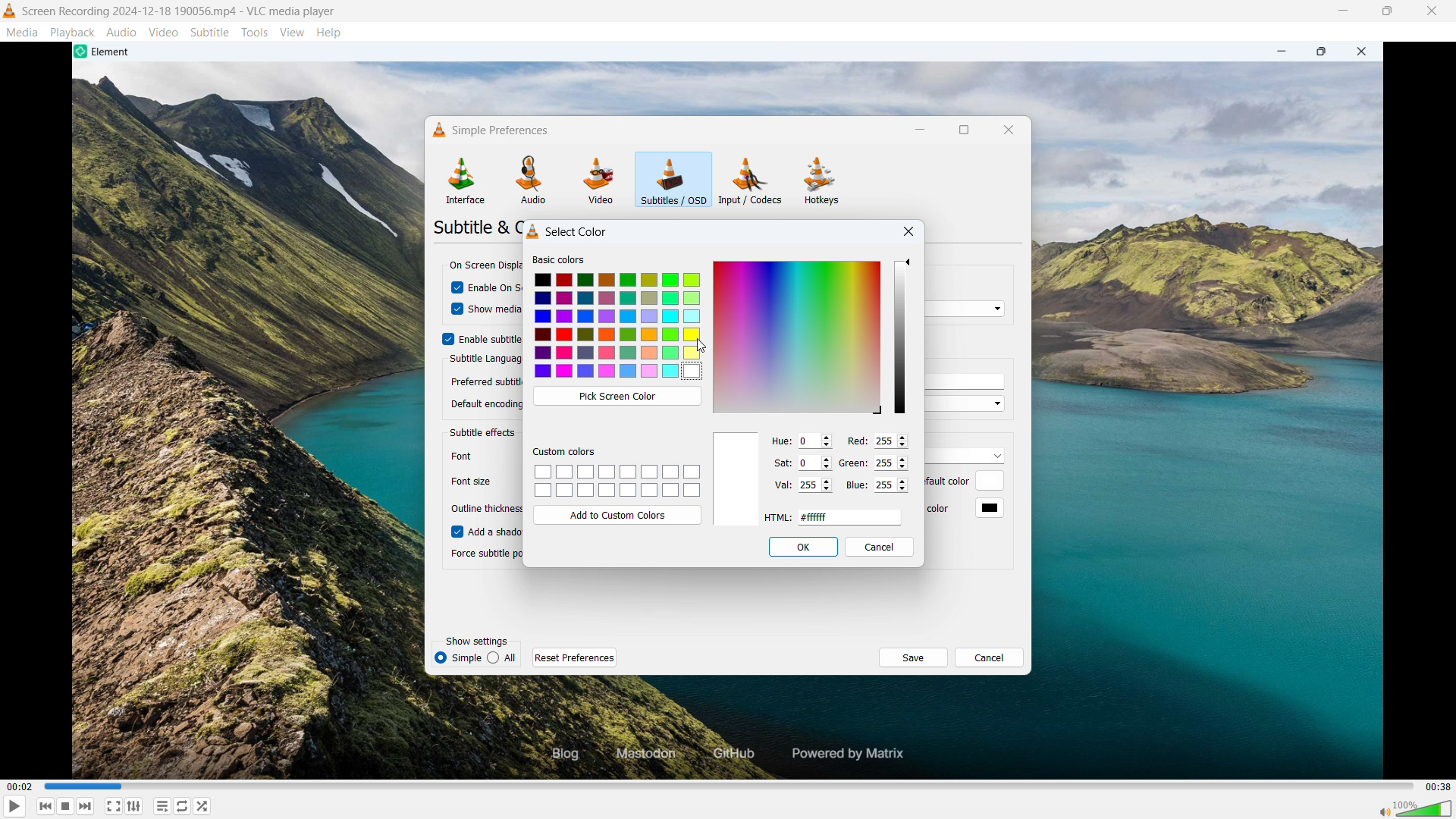  I want to click on | Force subtitle position, so click(481, 554).